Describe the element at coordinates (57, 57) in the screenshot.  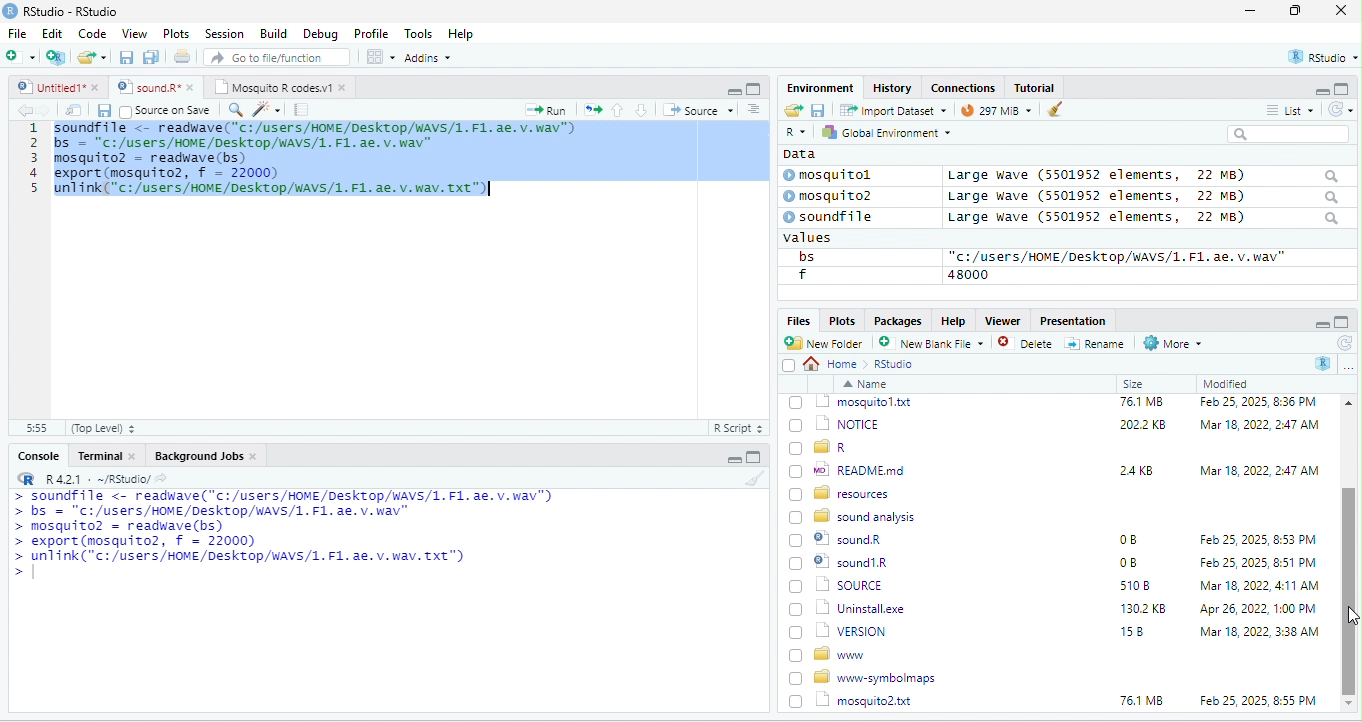
I see `new project` at that location.